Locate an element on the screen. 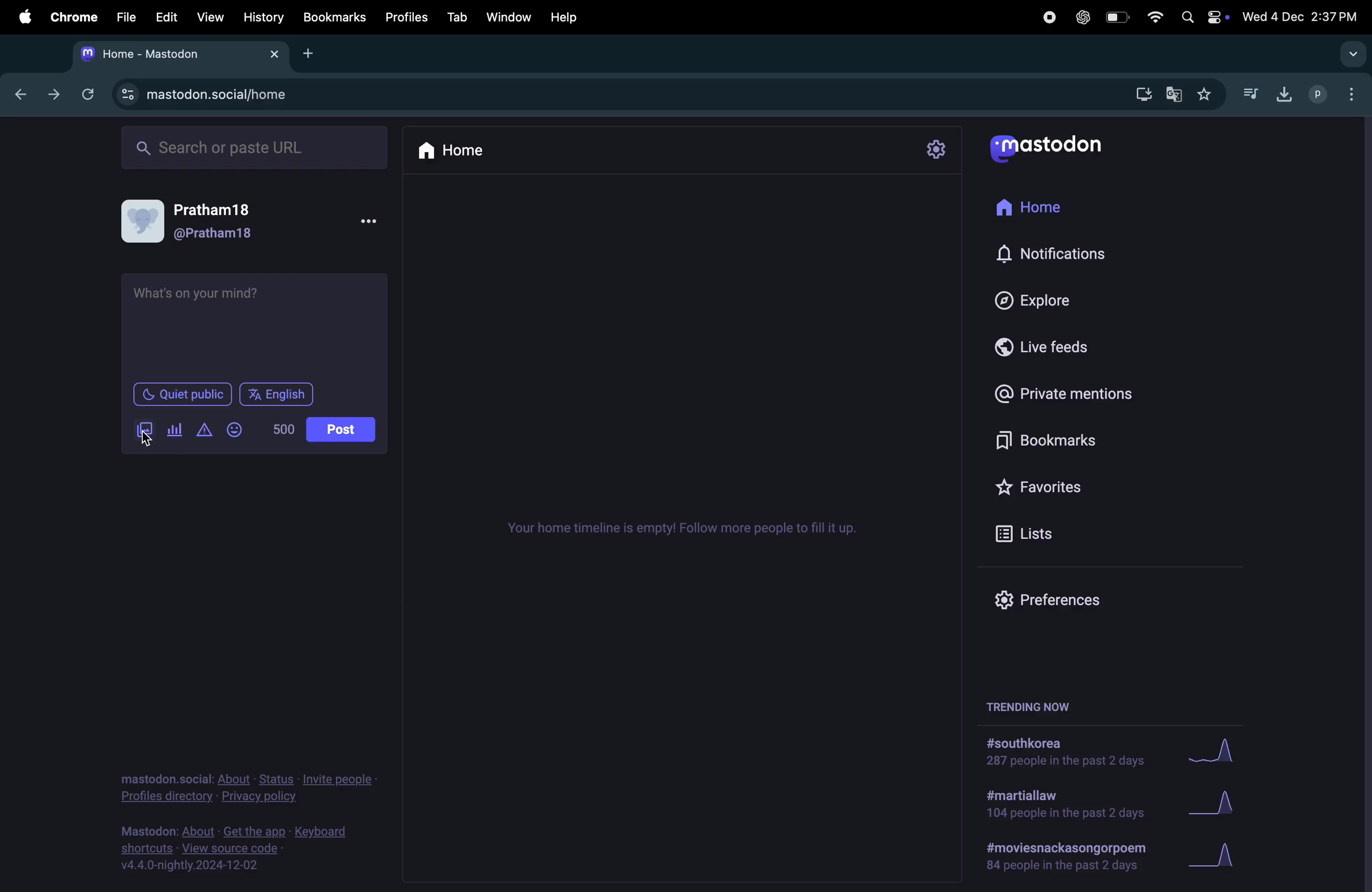 The image size is (1372, 892). post is located at coordinates (342, 430).